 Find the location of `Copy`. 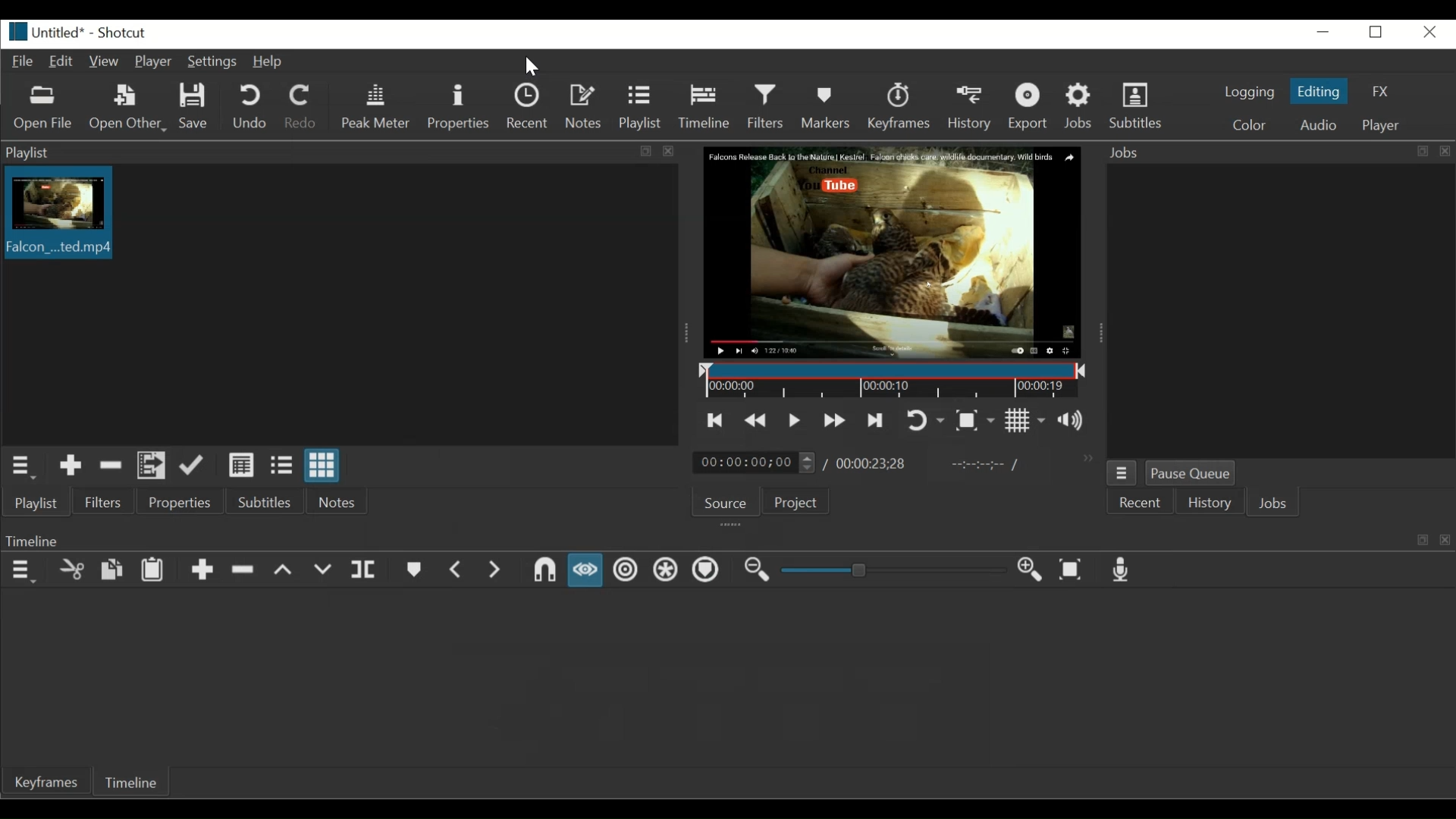

Copy is located at coordinates (115, 569).